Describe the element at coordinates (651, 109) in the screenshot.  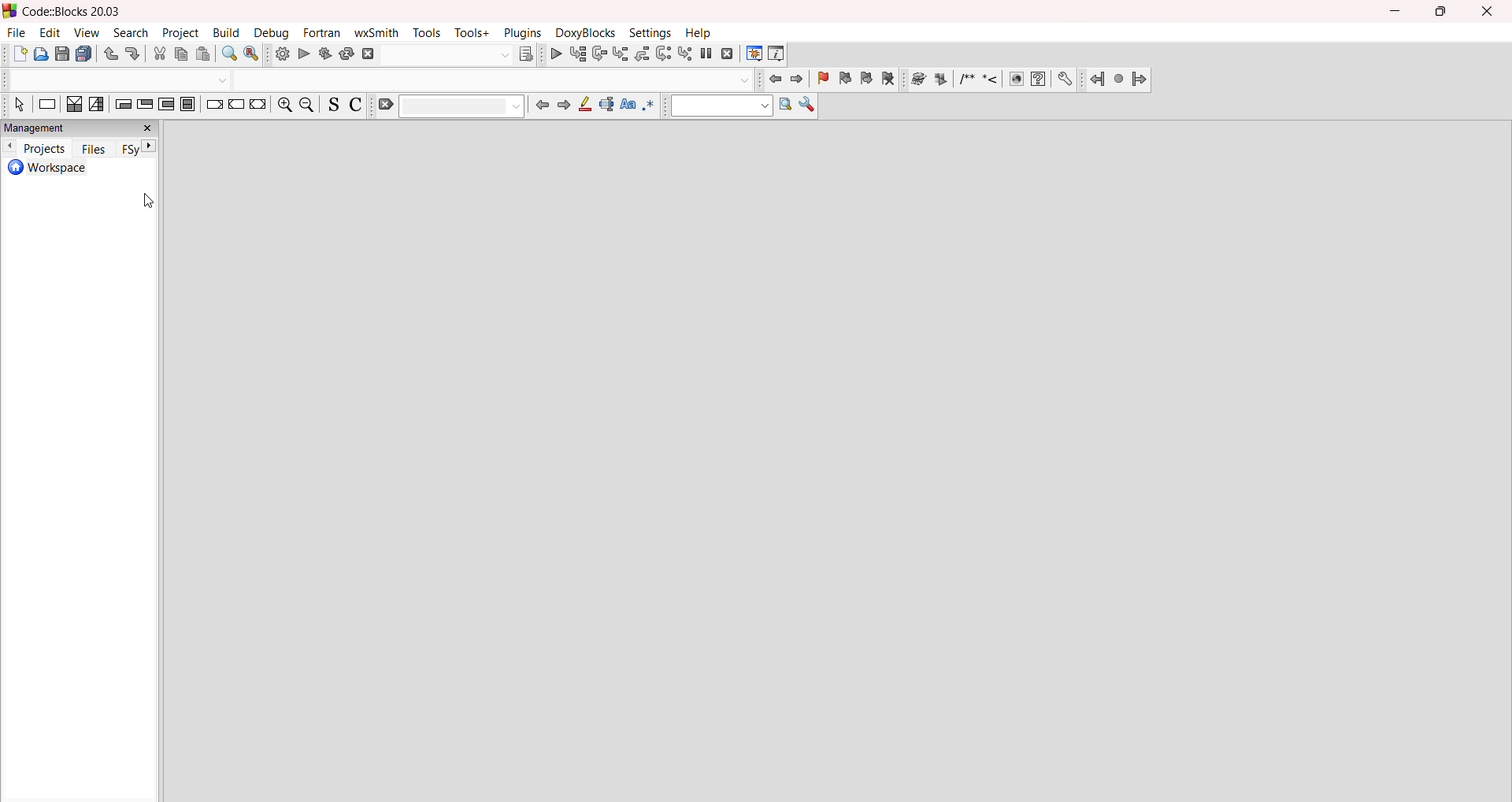
I see `use regex` at that location.